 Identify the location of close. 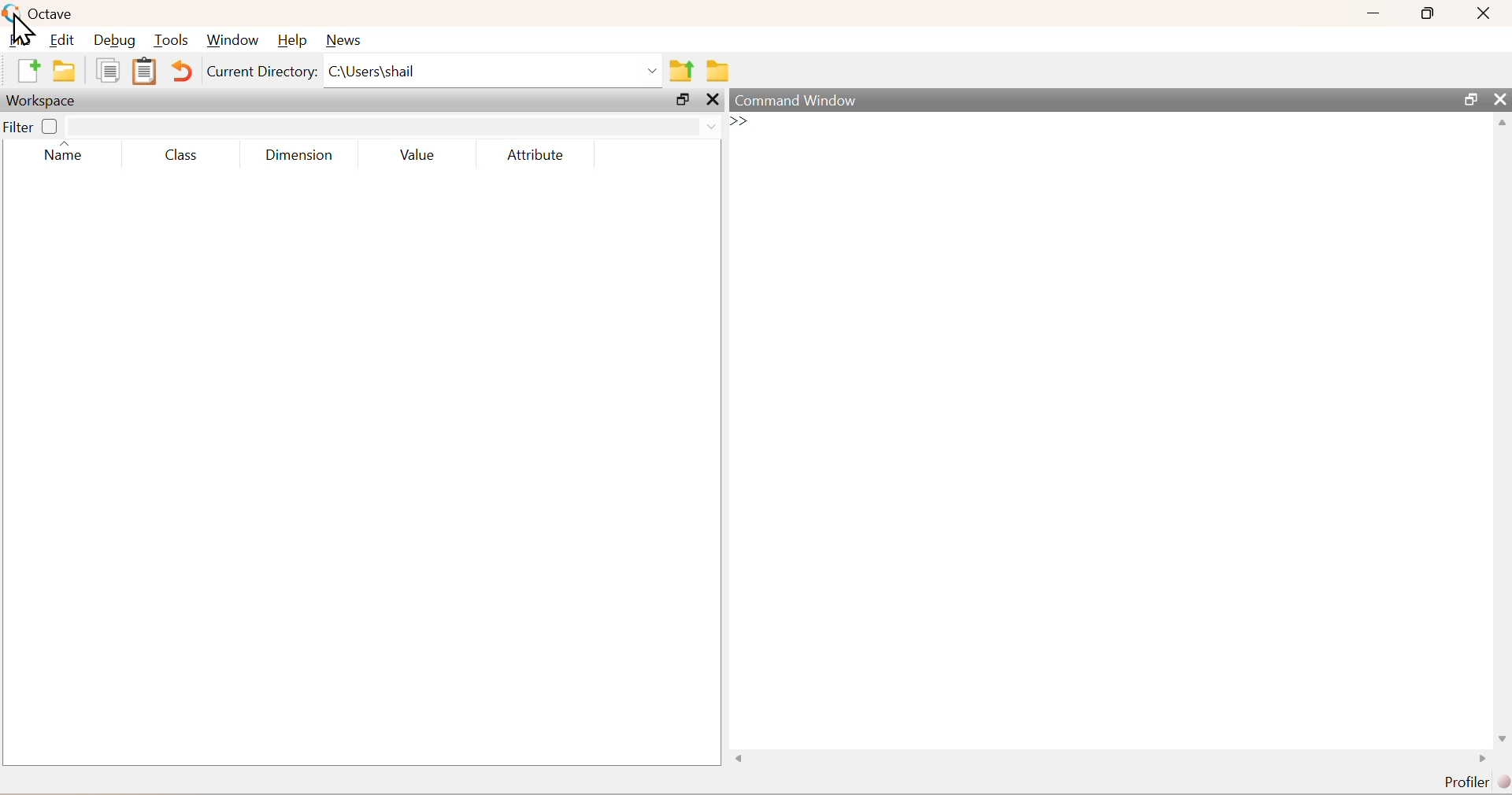
(1482, 13).